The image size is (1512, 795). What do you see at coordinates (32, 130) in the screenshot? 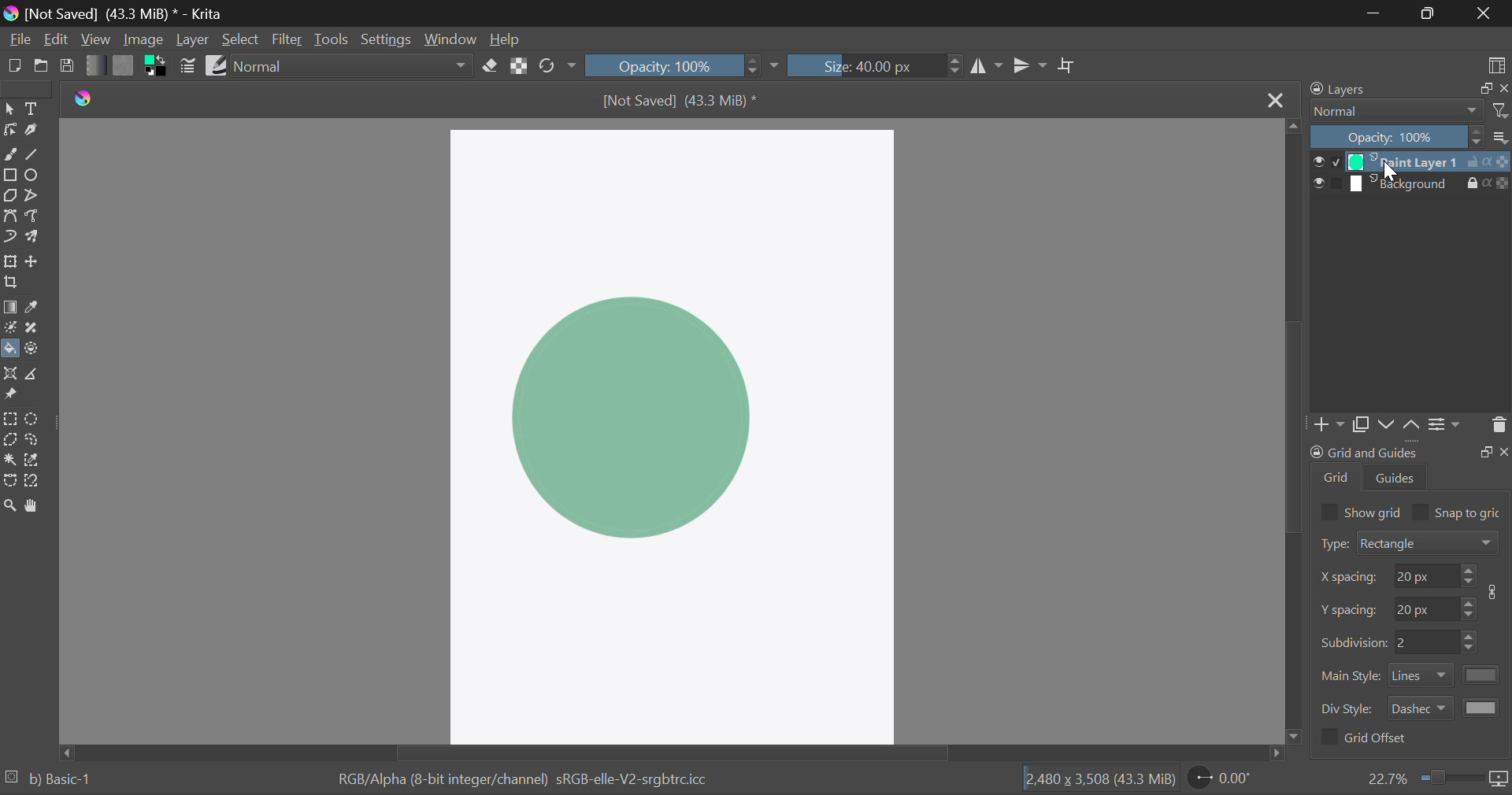
I see `Calligraphic Tool` at bounding box center [32, 130].